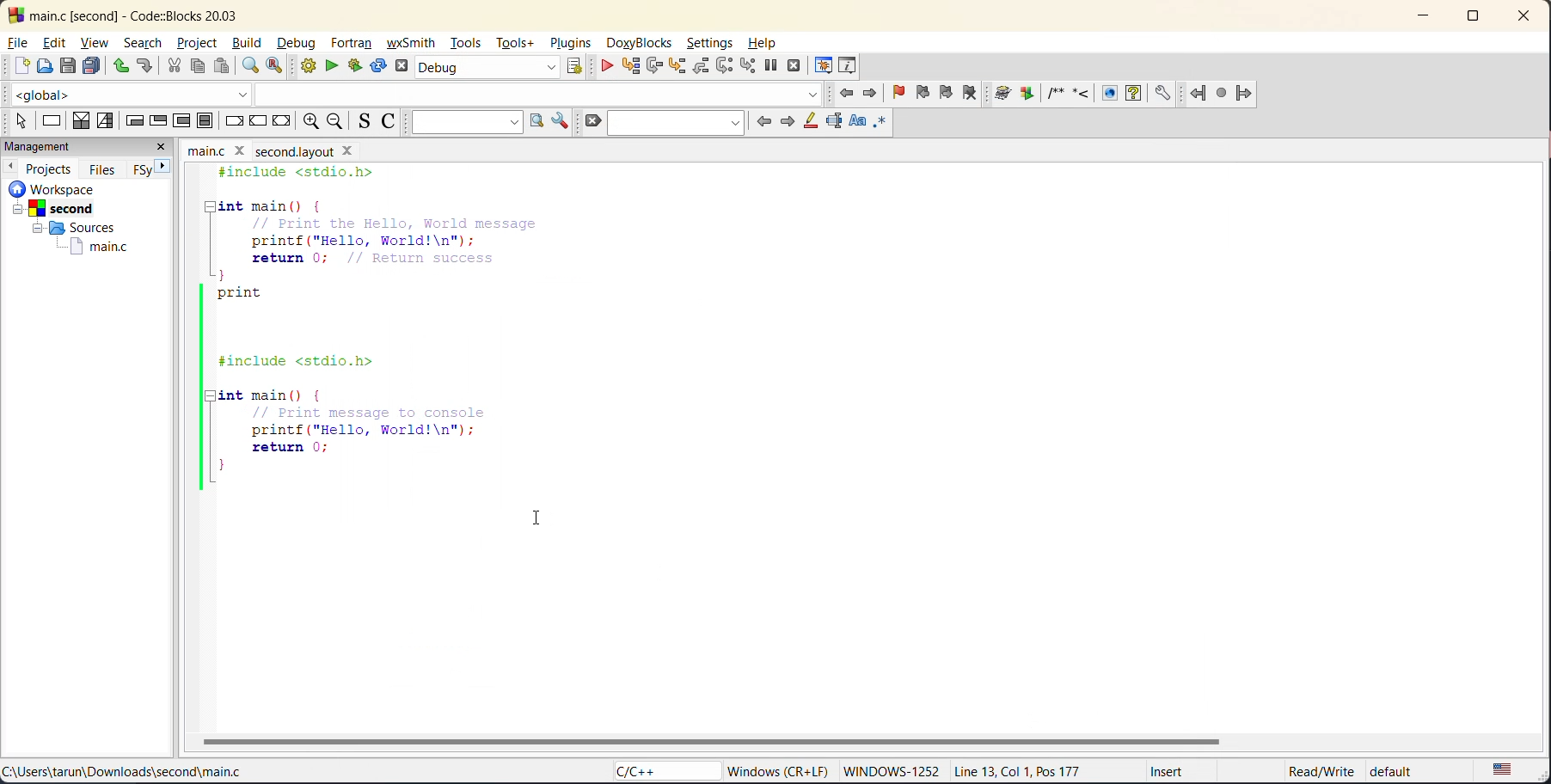 This screenshot has height=784, width=1551. Describe the element at coordinates (1471, 19) in the screenshot. I see `maximize` at that location.